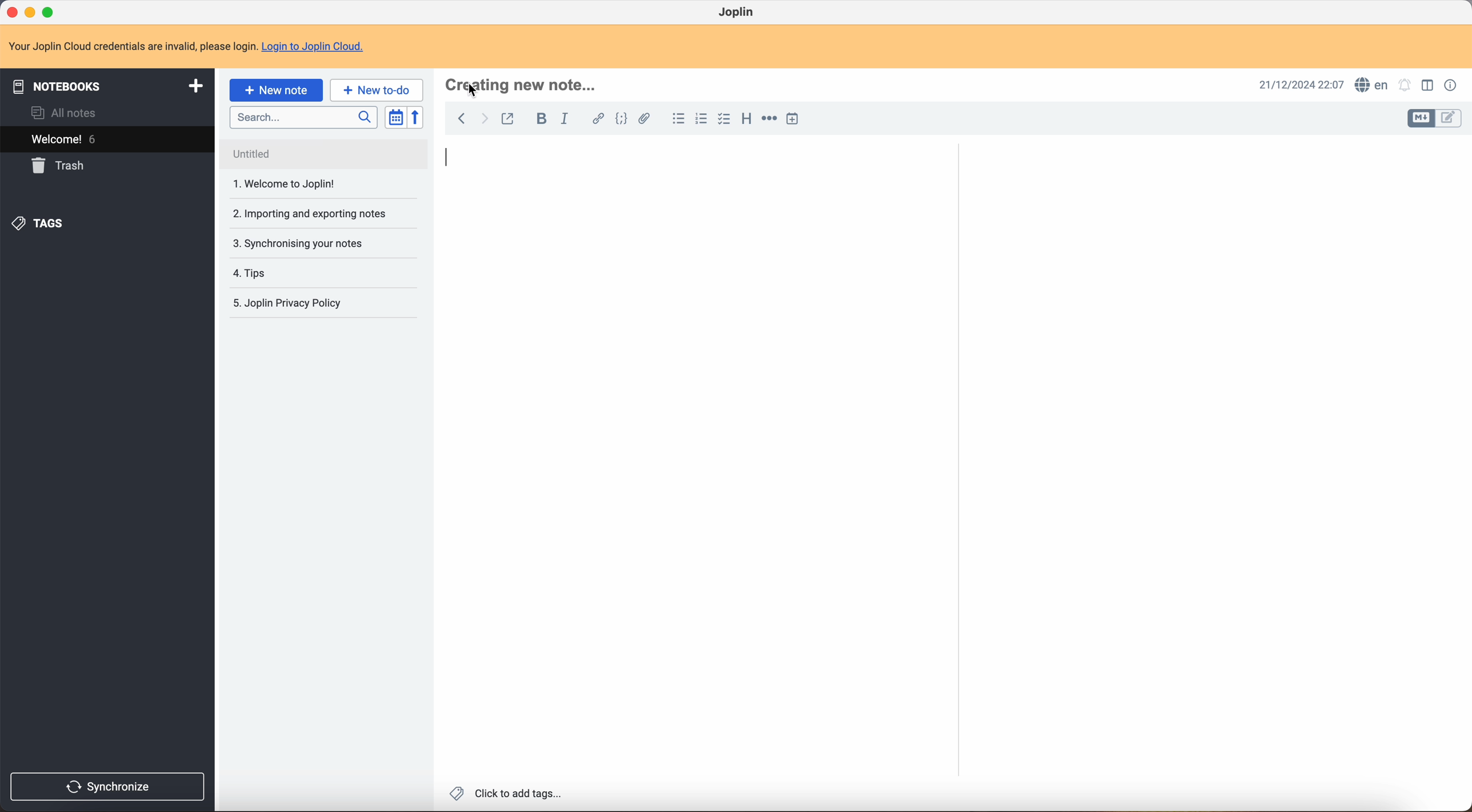 This screenshot has height=812, width=1472. Describe the element at coordinates (746, 121) in the screenshot. I see `heading` at that location.